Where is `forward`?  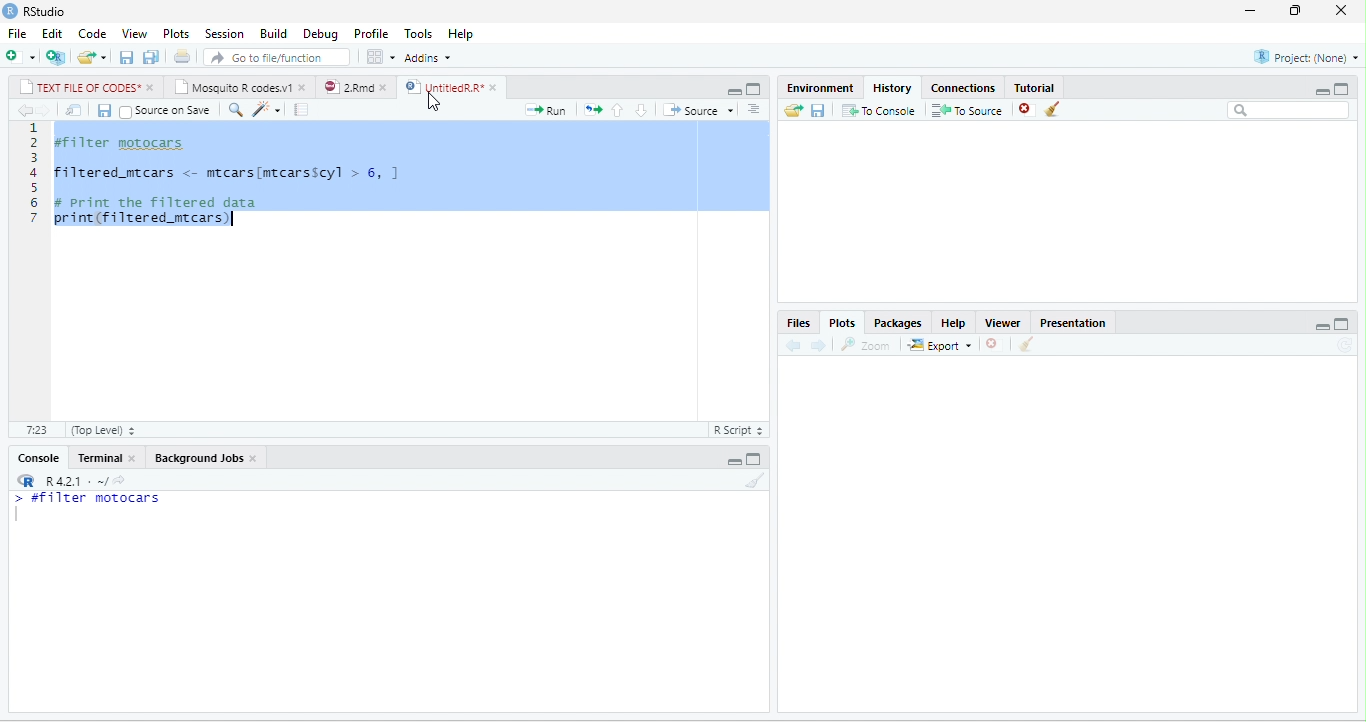
forward is located at coordinates (818, 346).